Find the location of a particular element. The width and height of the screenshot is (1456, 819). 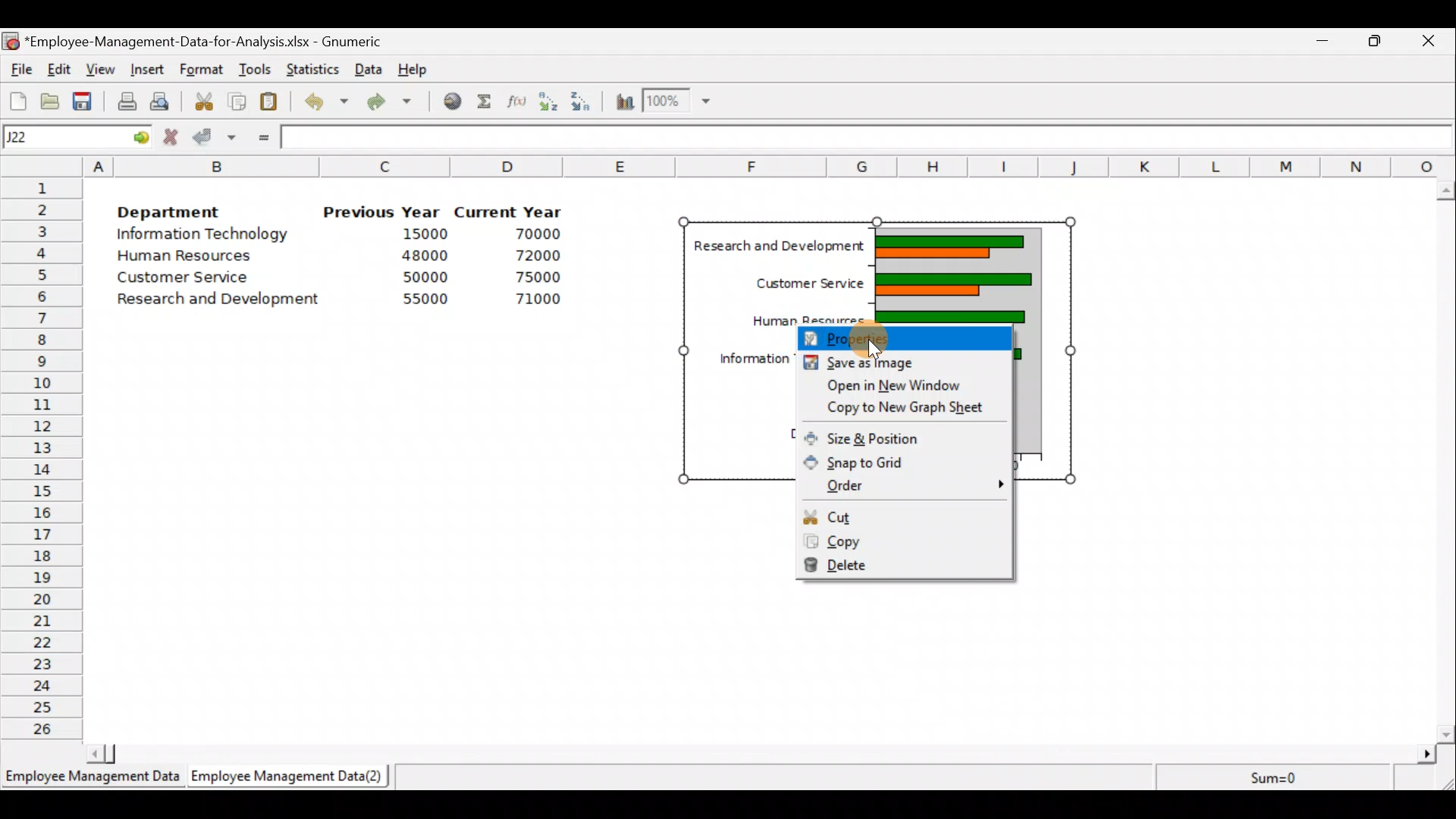

Sum into the current cell is located at coordinates (486, 105).